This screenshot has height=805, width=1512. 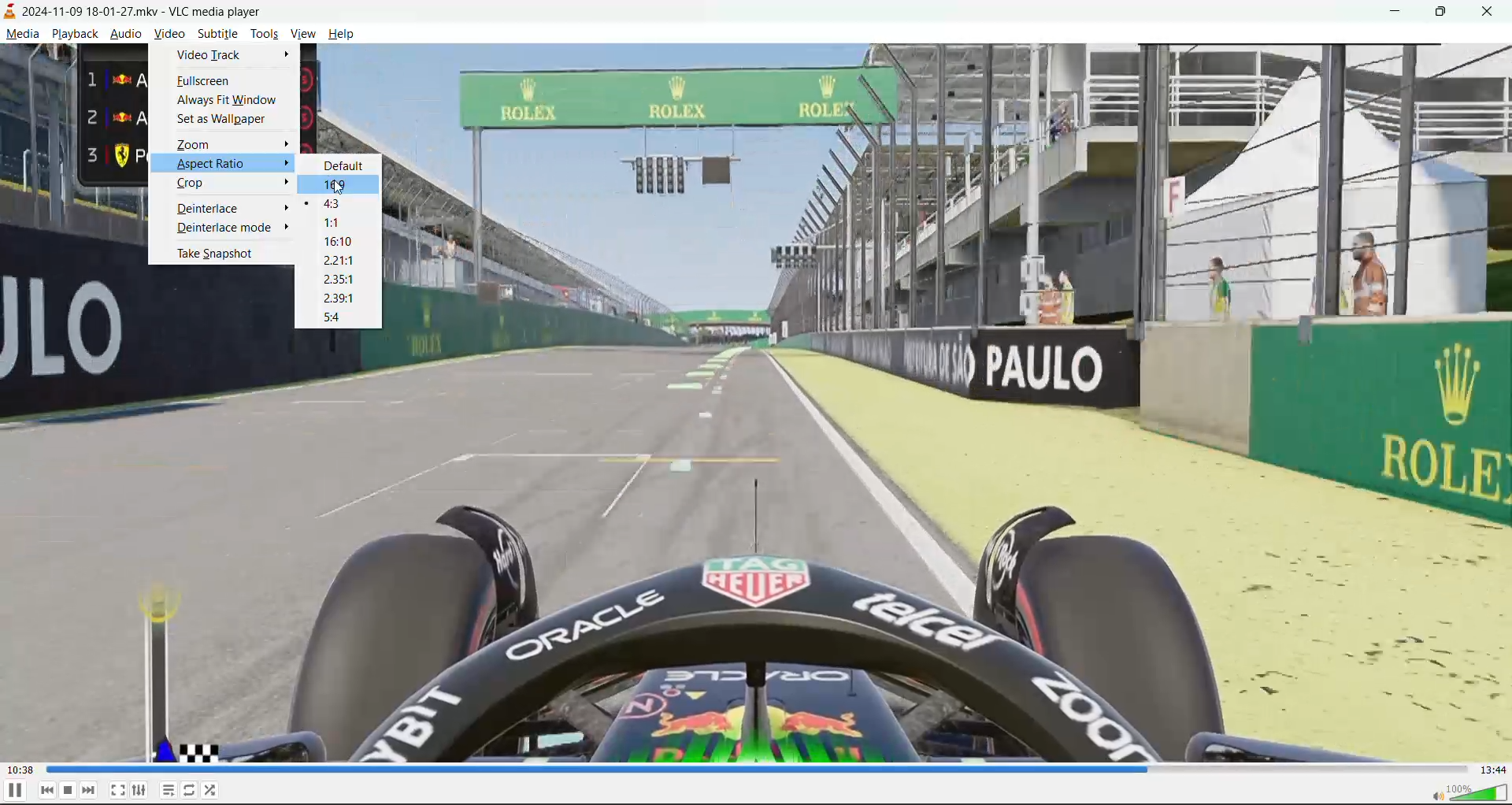 What do you see at coordinates (265, 35) in the screenshot?
I see `tools` at bounding box center [265, 35].